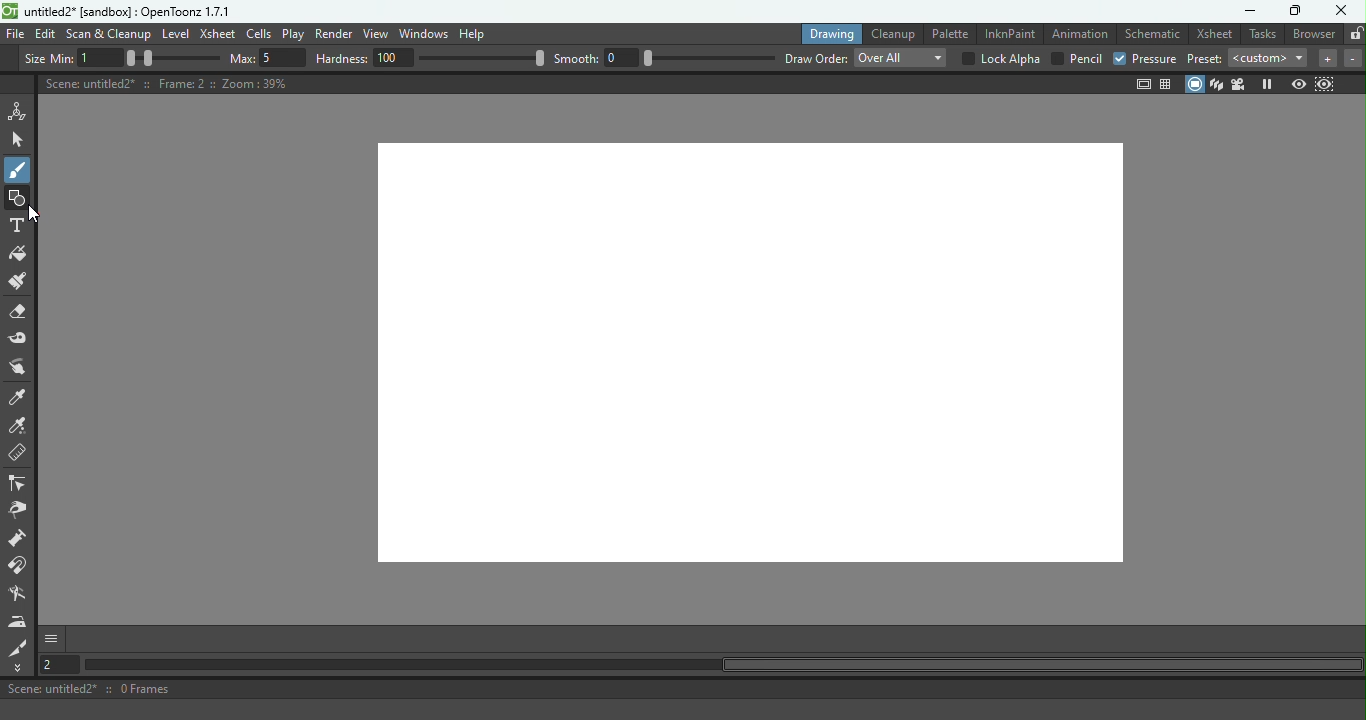 The width and height of the screenshot is (1366, 720). I want to click on Cutter tool, so click(21, 648).